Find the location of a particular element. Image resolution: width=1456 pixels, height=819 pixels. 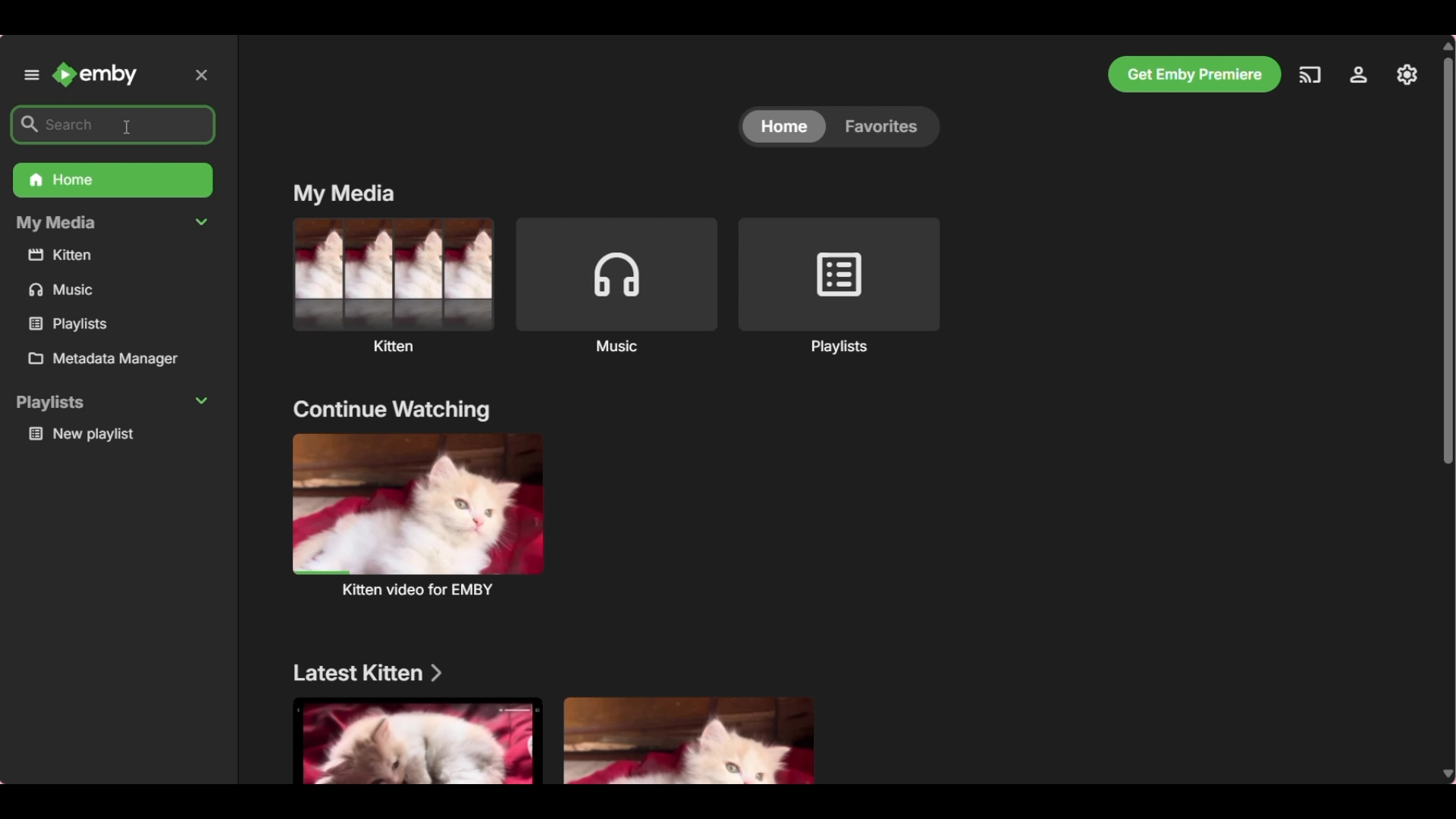

kitten is located at coordinates (115, 256).